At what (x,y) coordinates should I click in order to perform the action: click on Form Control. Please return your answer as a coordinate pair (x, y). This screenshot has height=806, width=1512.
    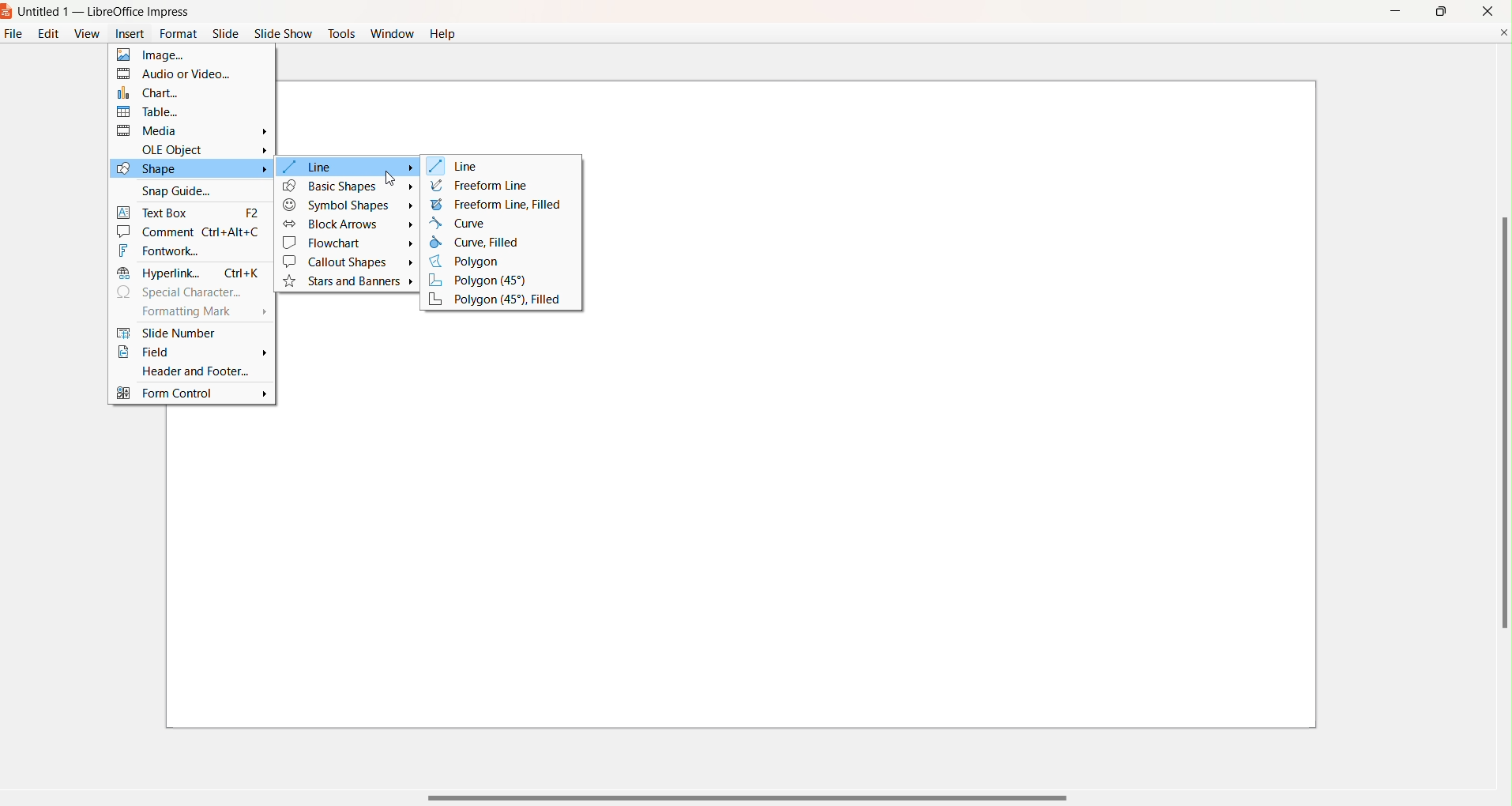
    Looking at the image, I should click on (192, 395).